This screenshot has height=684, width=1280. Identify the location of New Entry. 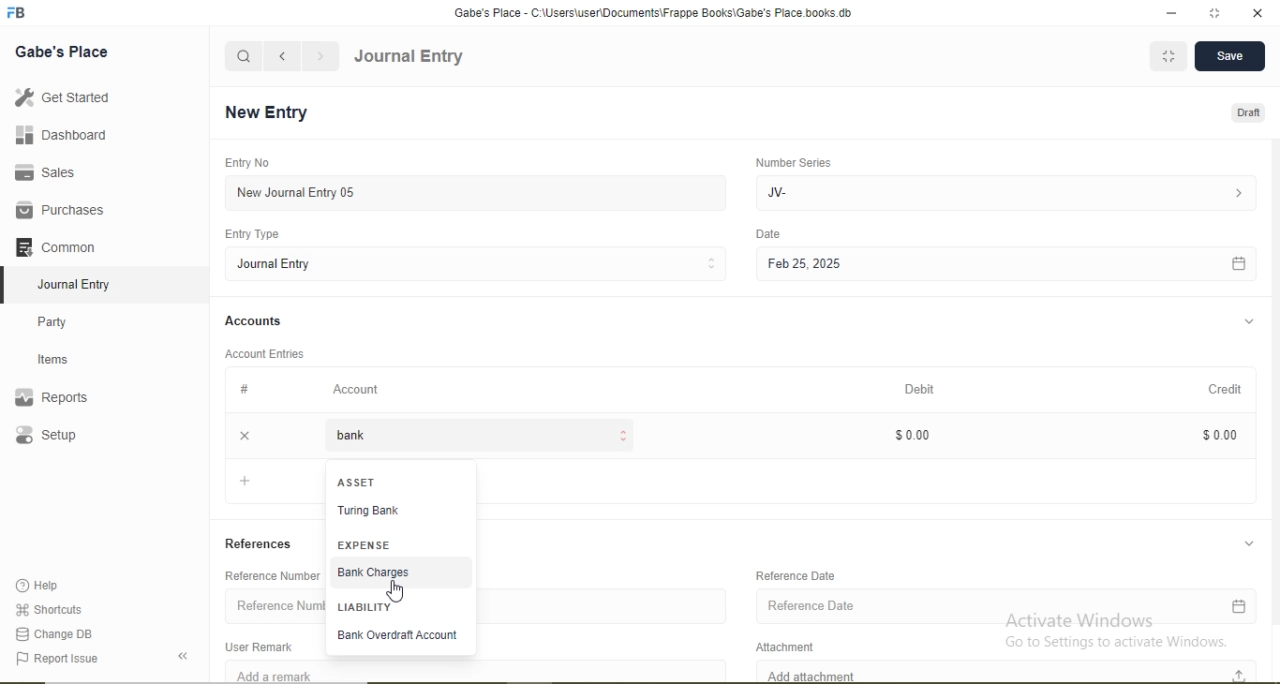
(272, 113).